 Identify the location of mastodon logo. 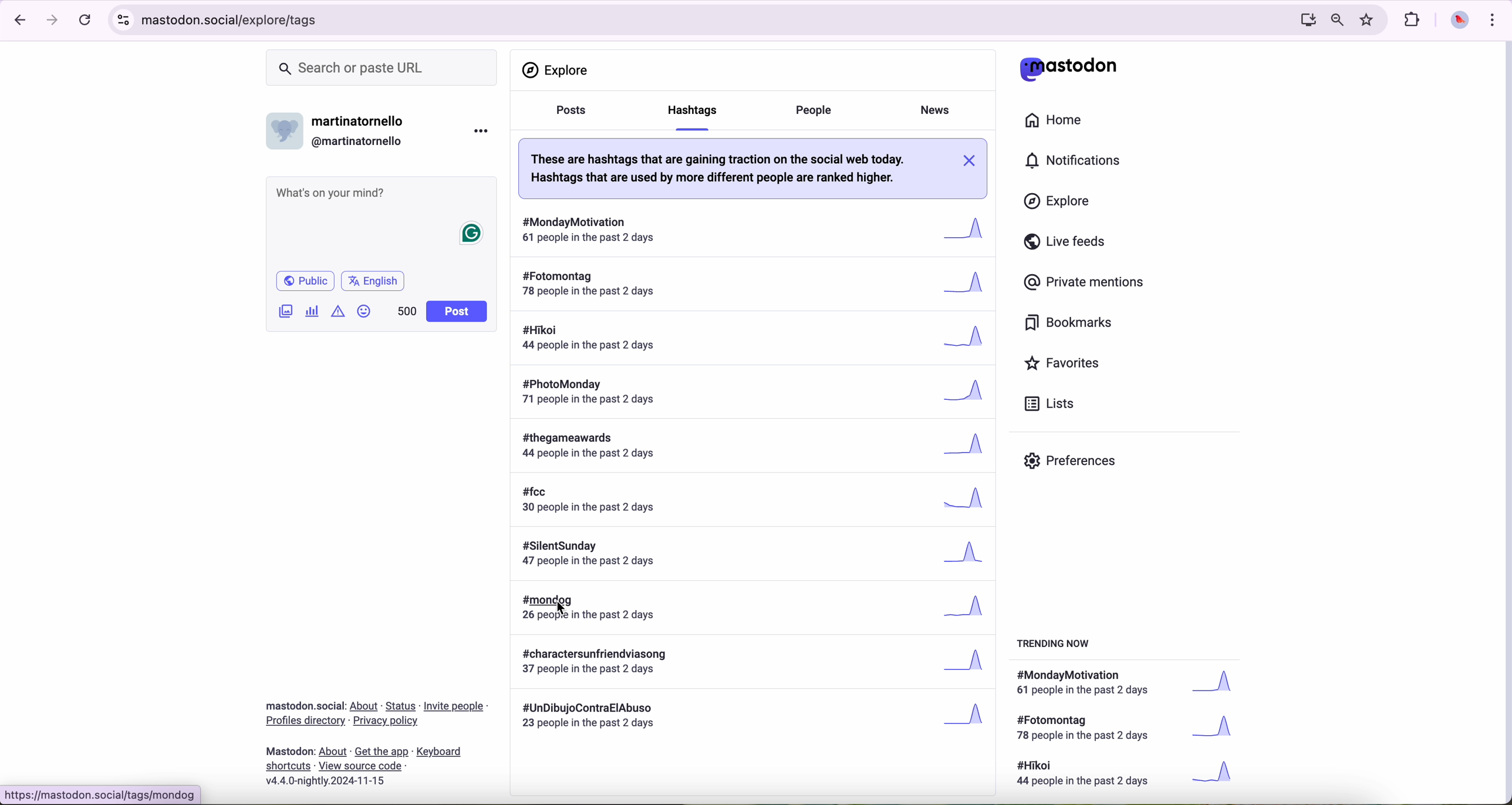
(1068, 68).